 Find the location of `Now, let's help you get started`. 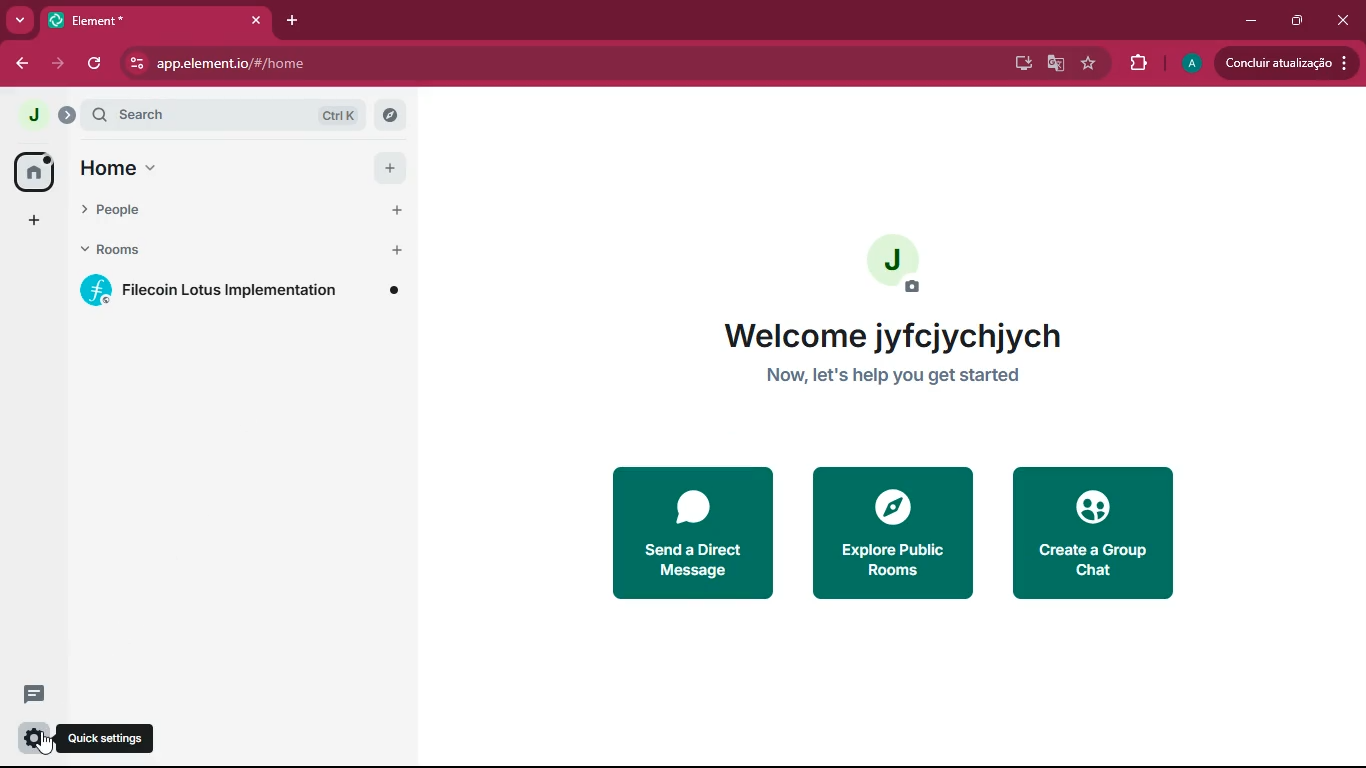

Now, let's help you get started is located at coordinates (901, 377).